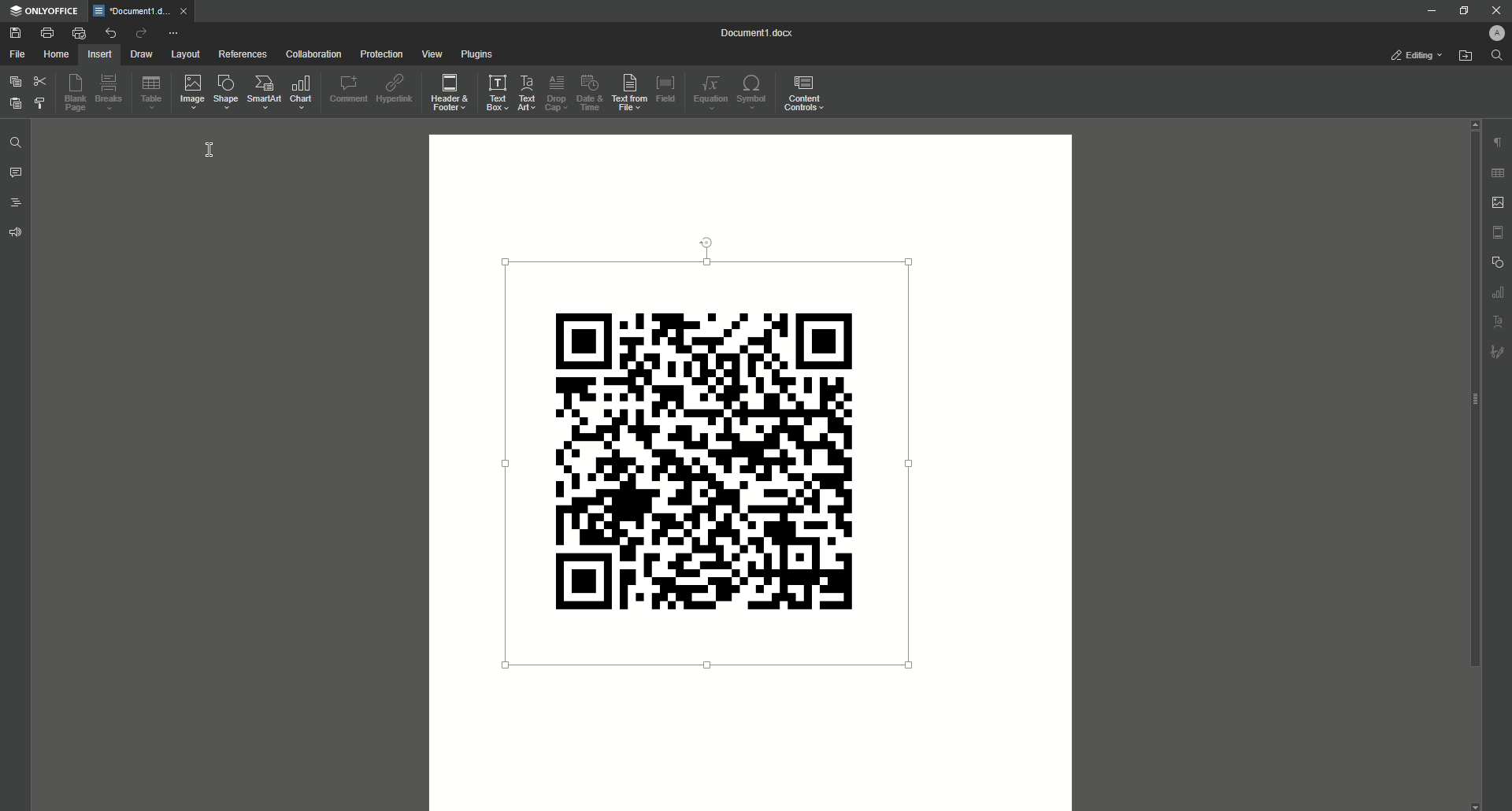 The image size is (1512, 811). I want to click on Minimize, so click(1431, 12).